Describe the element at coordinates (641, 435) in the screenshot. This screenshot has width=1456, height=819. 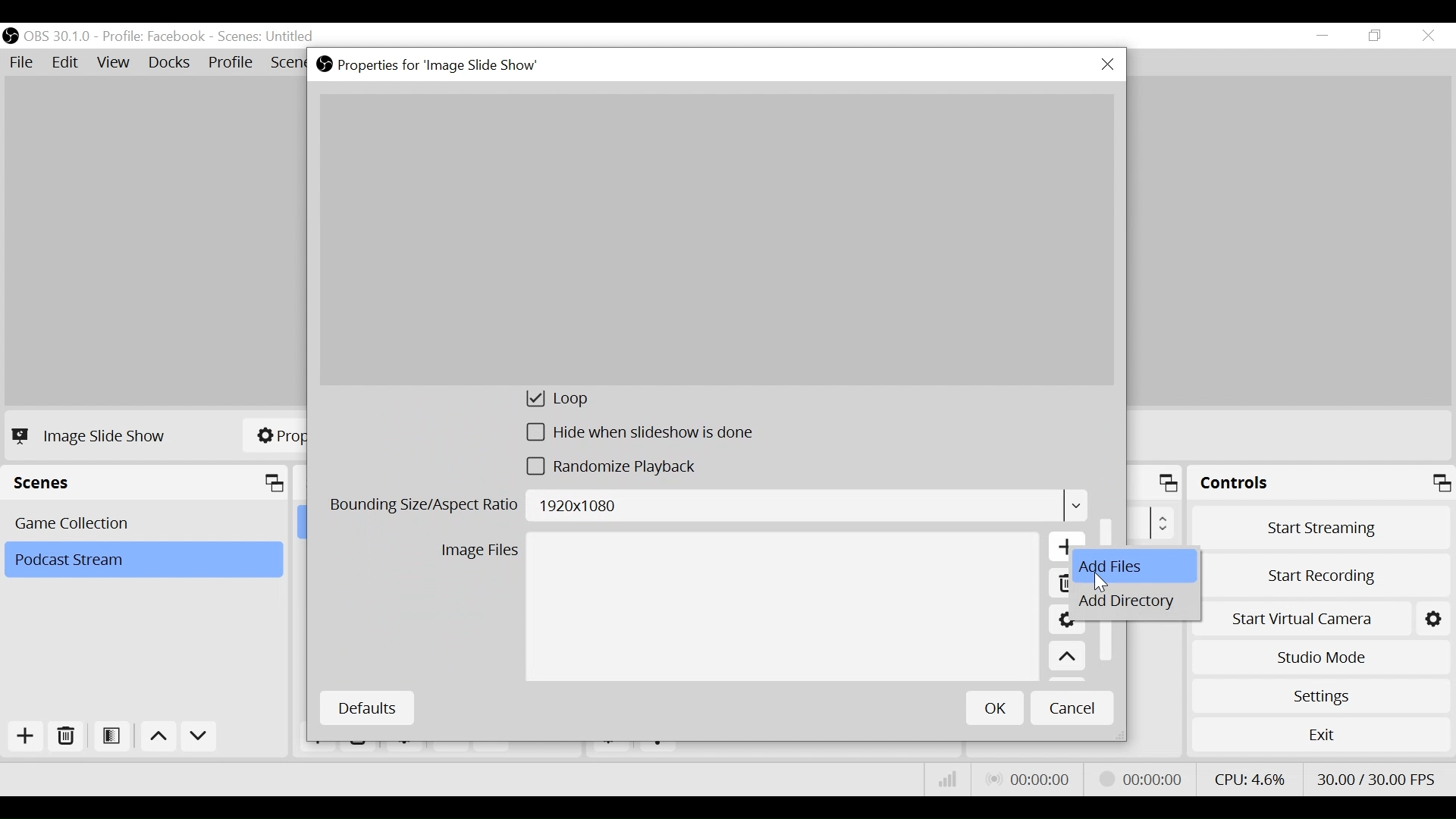
I see `(un)select Hide slideshow is done` at that location.